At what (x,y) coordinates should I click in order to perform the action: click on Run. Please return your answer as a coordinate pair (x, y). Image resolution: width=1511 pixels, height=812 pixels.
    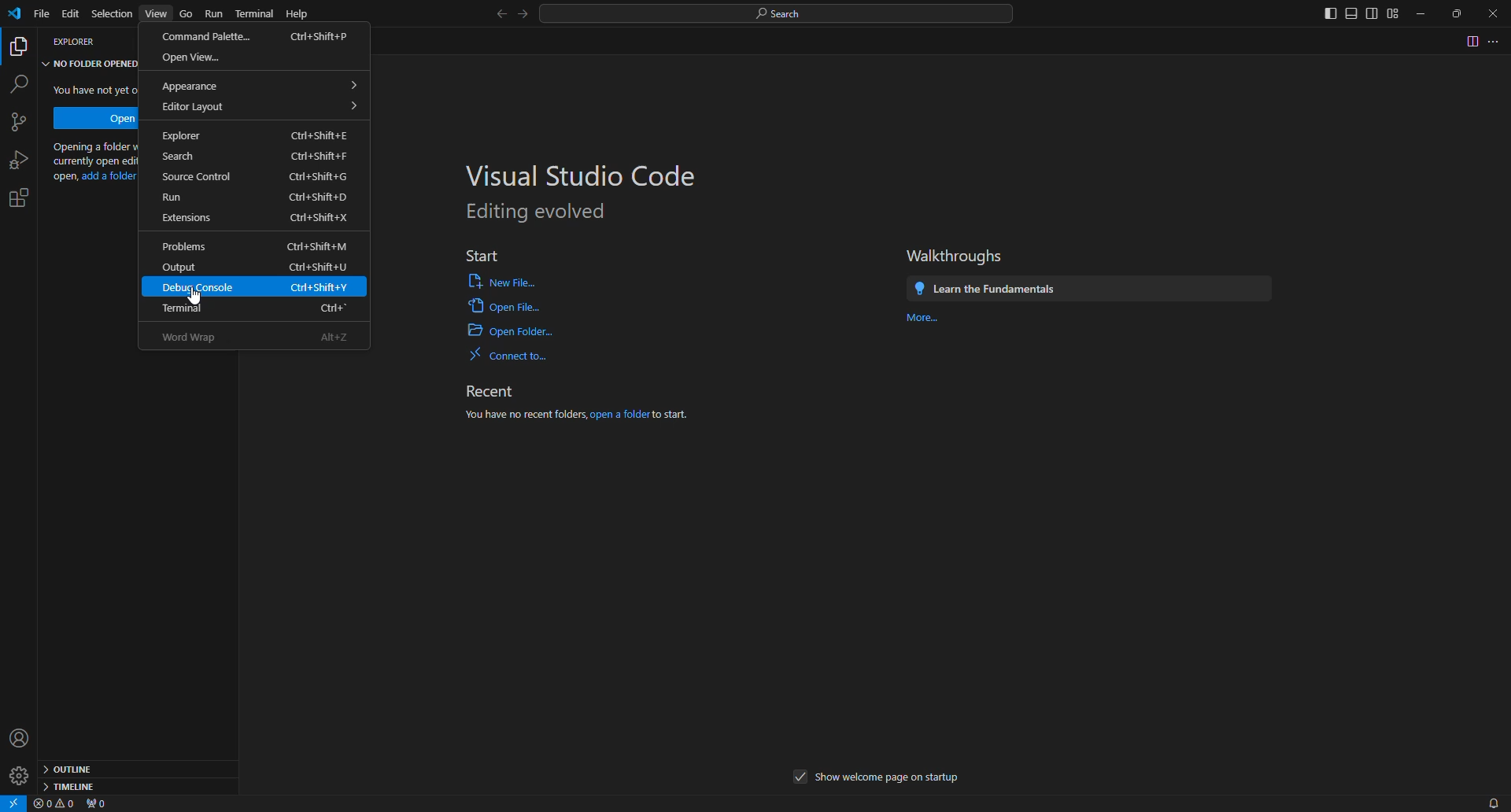
    Looking at the image, I should click on (212, 13).